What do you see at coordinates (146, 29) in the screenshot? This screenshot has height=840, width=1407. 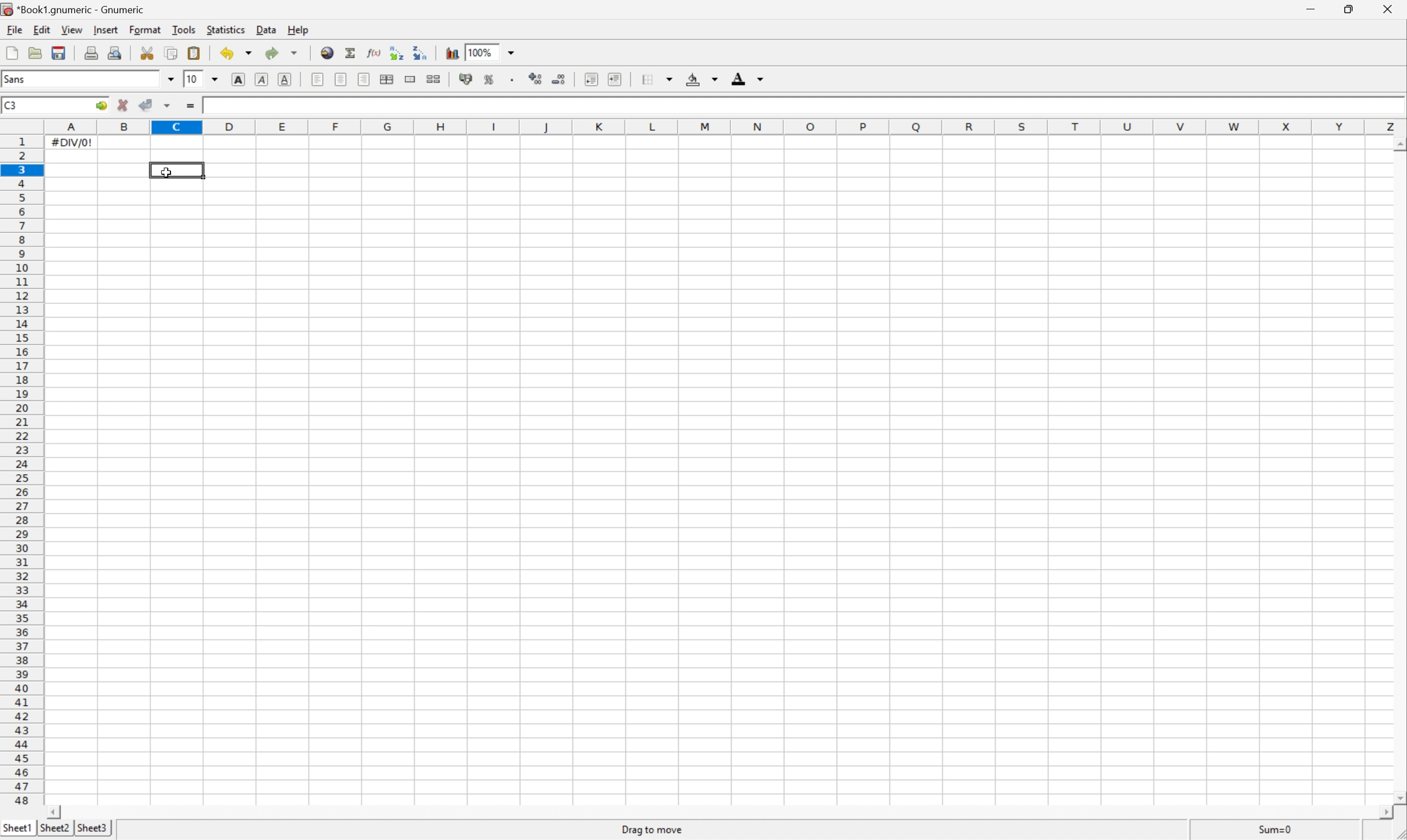 I see `Format` at bounding box center [146, 29].